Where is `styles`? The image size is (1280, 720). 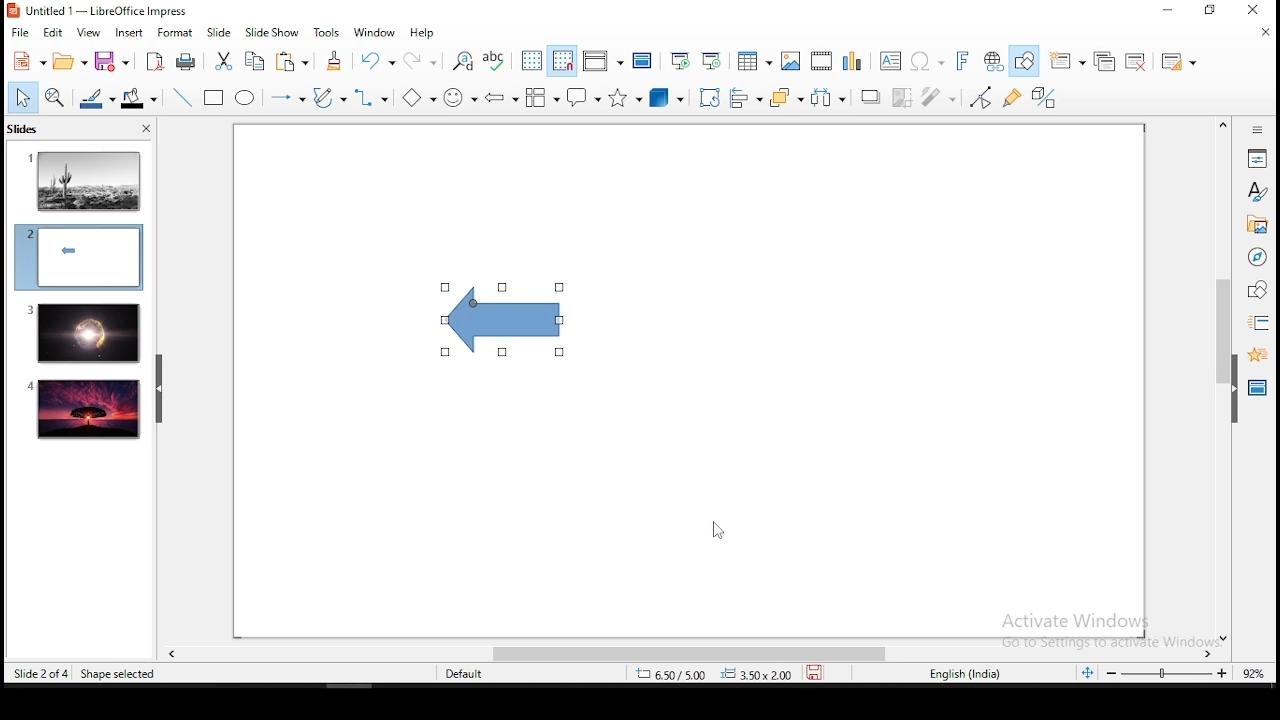
styles is located at coordinates (1257, 191).